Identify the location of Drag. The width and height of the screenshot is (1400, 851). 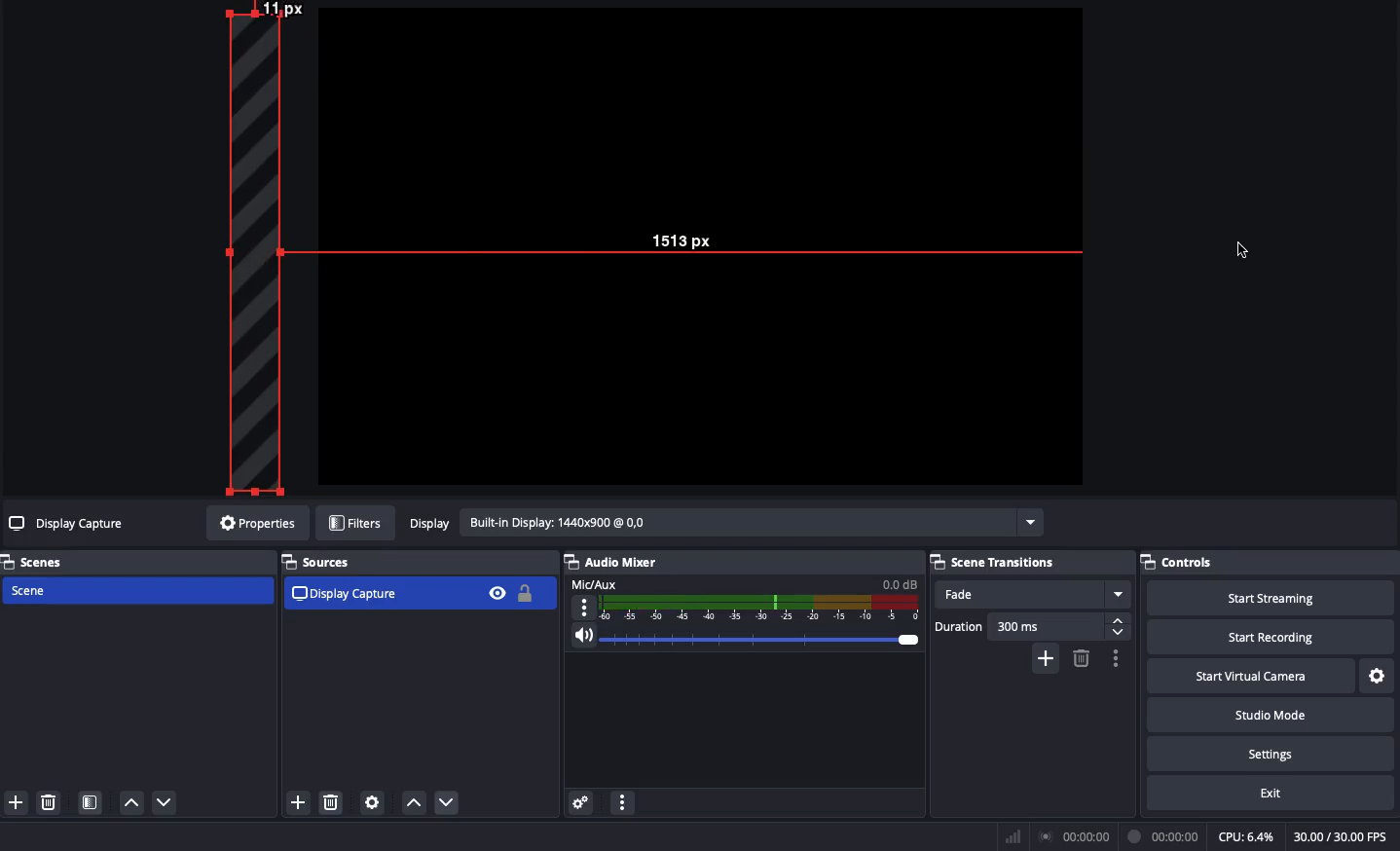
(263, 247).